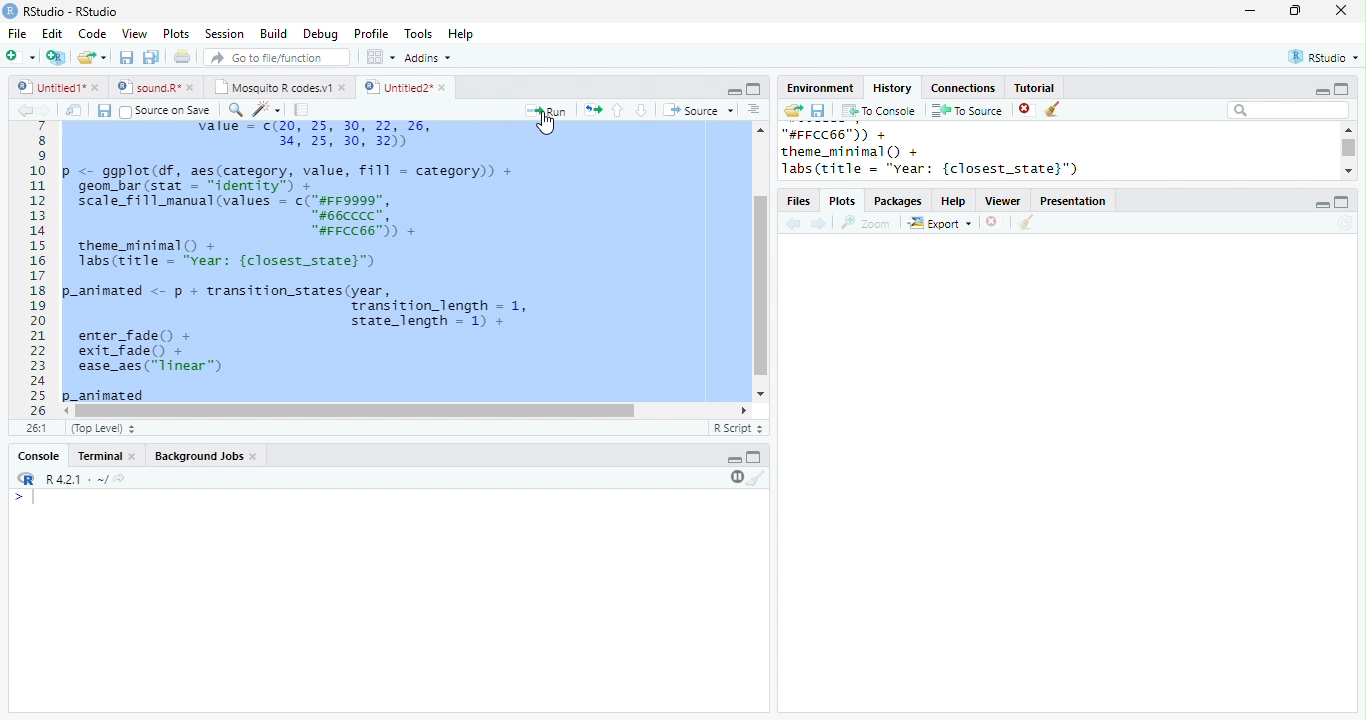 This screenshot has width=1366, height=720. I want to click on refresh, so click(1345, 223).